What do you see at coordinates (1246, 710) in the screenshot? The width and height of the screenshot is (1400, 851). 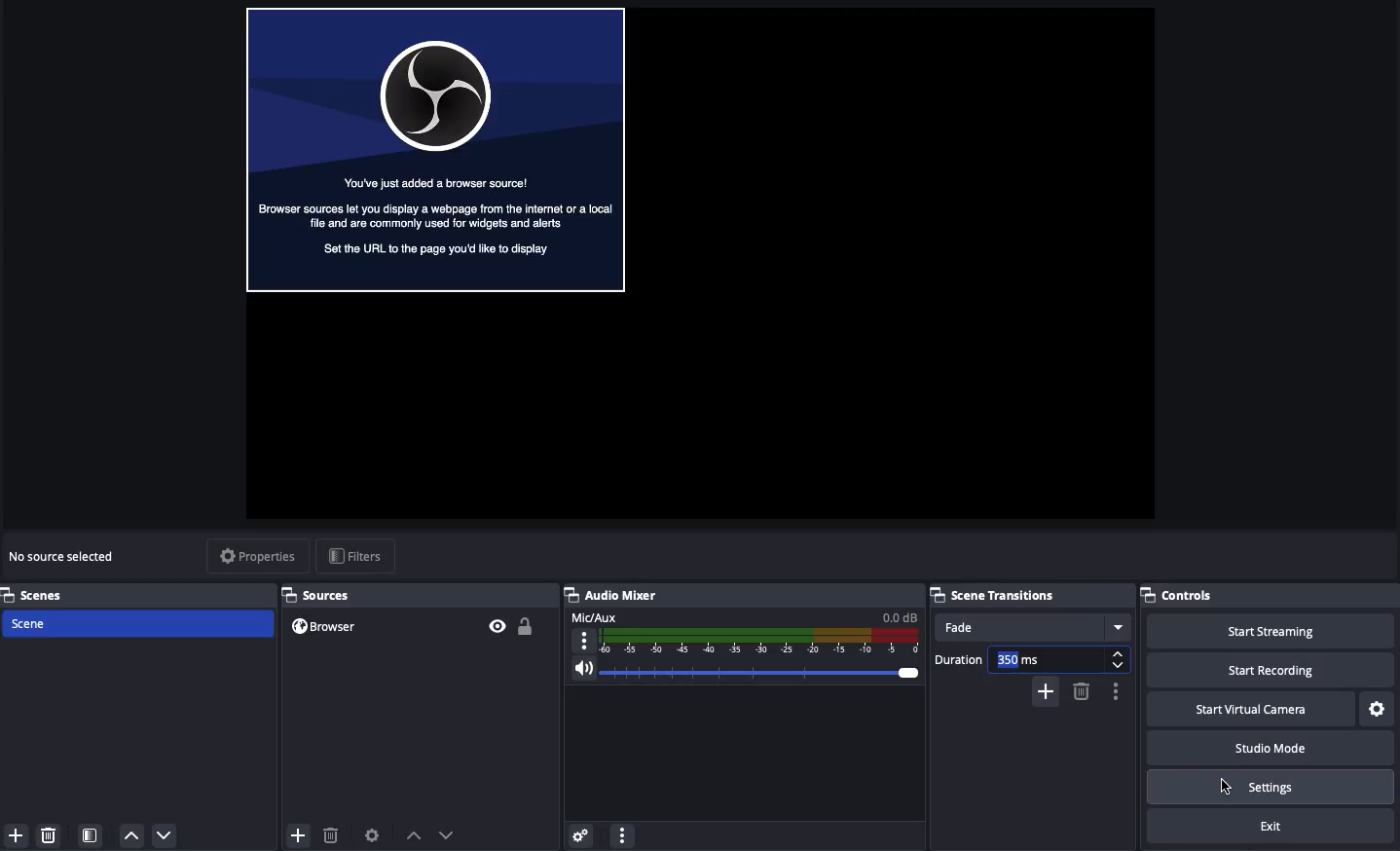 I see `Start virtual camera` at bounding box center [1246, 710].